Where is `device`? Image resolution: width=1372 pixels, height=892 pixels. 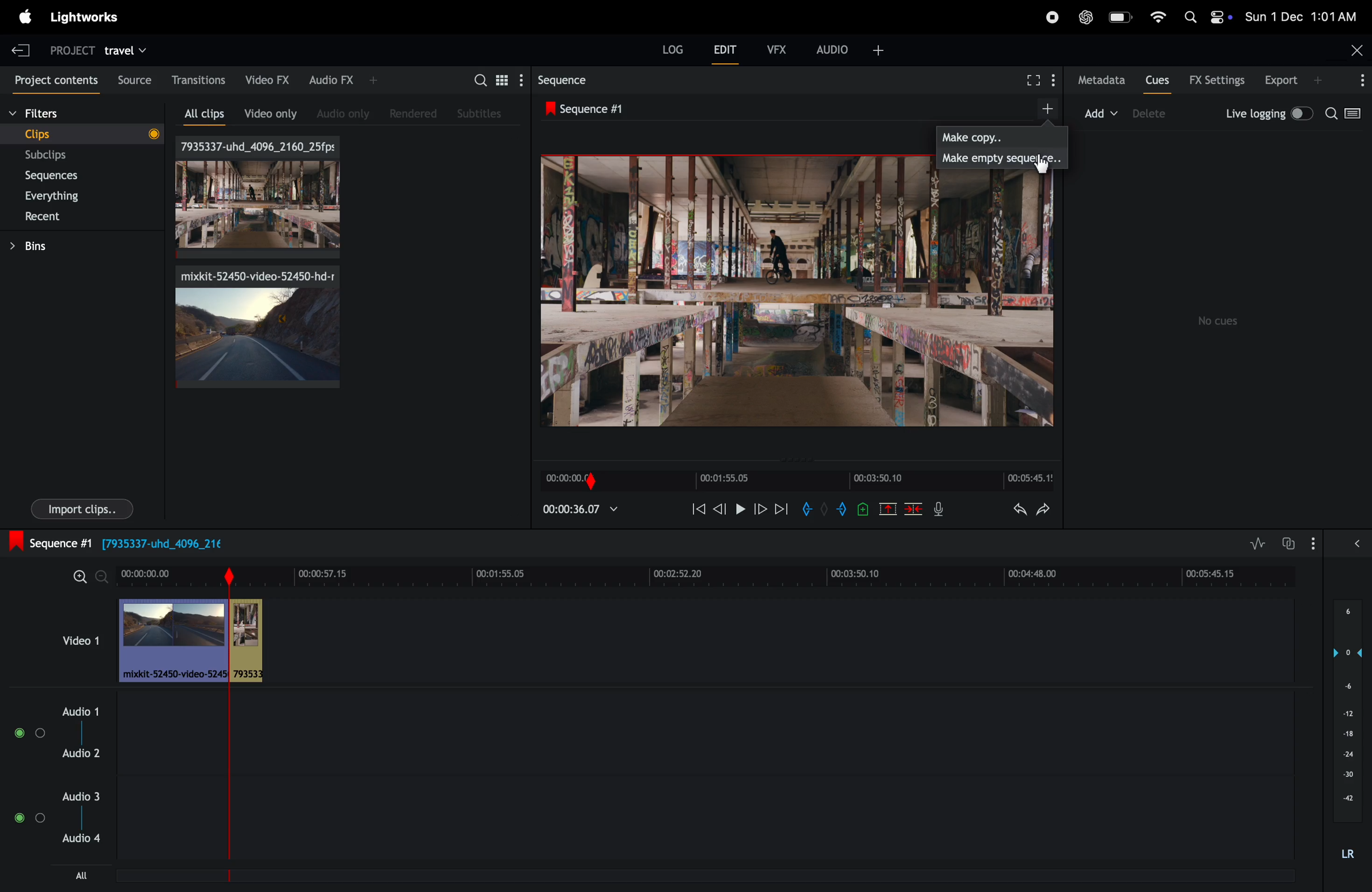 device is located at coordinates (1151, 112).